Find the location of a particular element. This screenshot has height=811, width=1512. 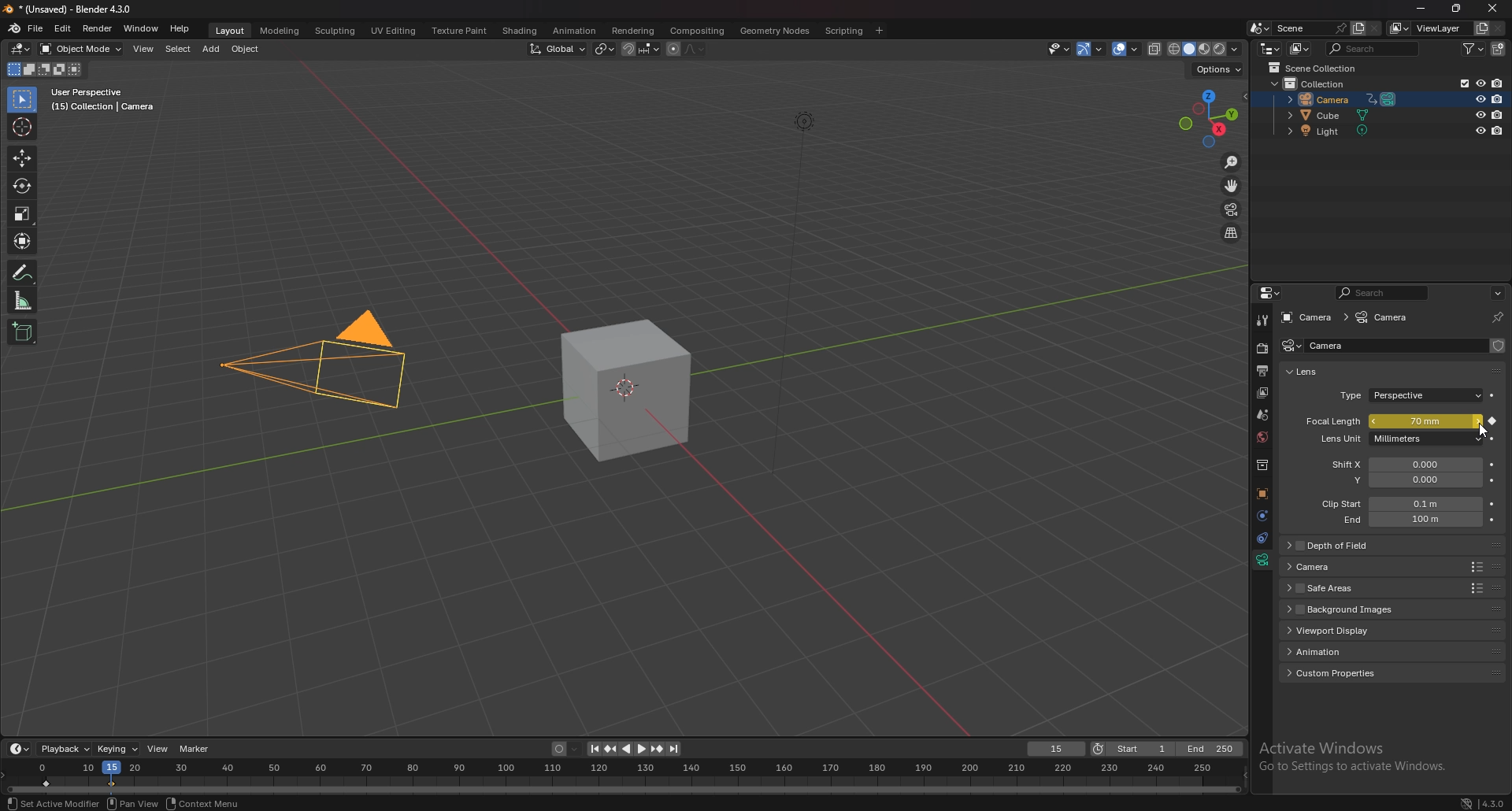

constraints is located at coordinates (1262, 537).